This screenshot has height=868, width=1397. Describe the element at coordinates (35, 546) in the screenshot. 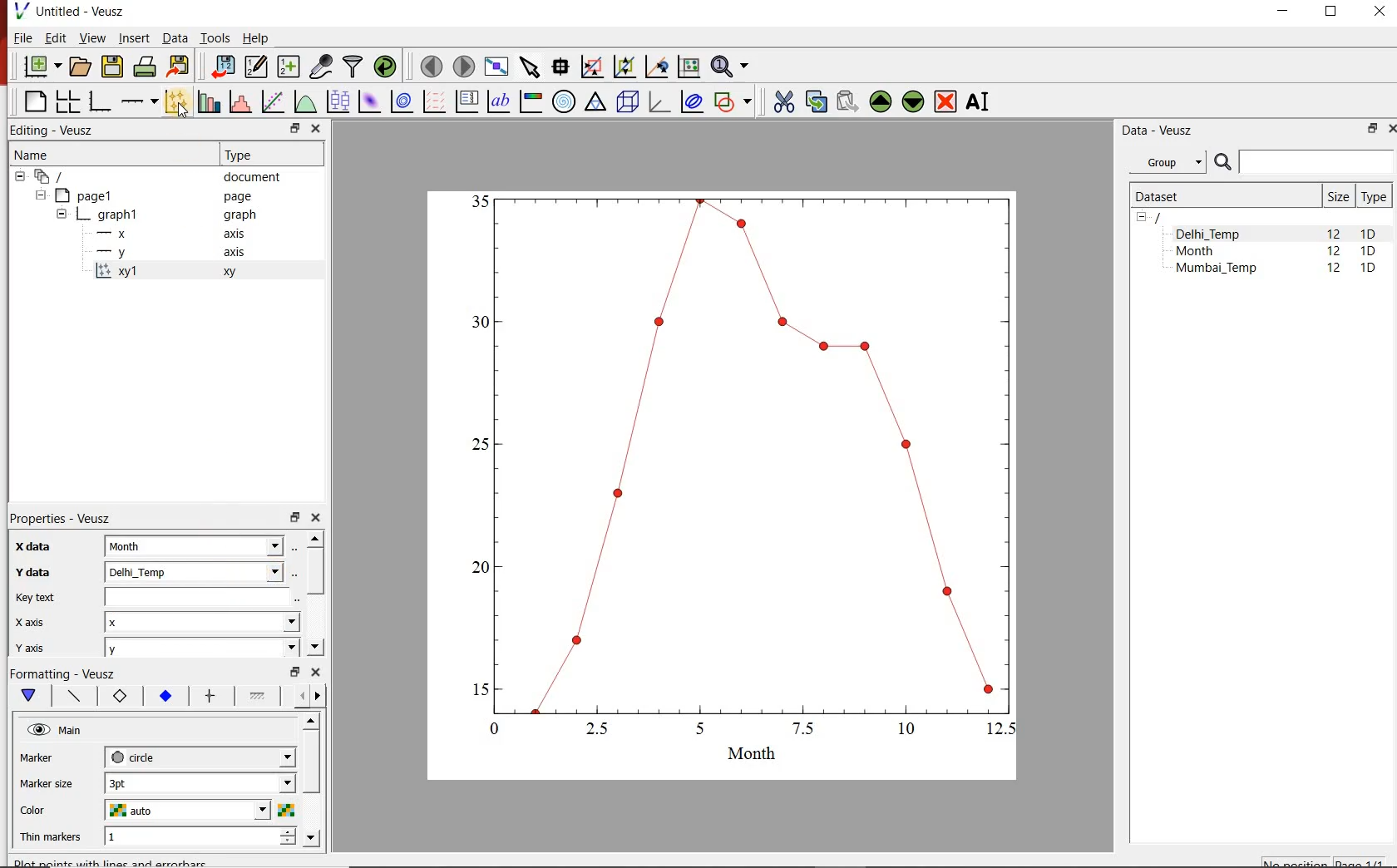

I see `x-data` at that location.